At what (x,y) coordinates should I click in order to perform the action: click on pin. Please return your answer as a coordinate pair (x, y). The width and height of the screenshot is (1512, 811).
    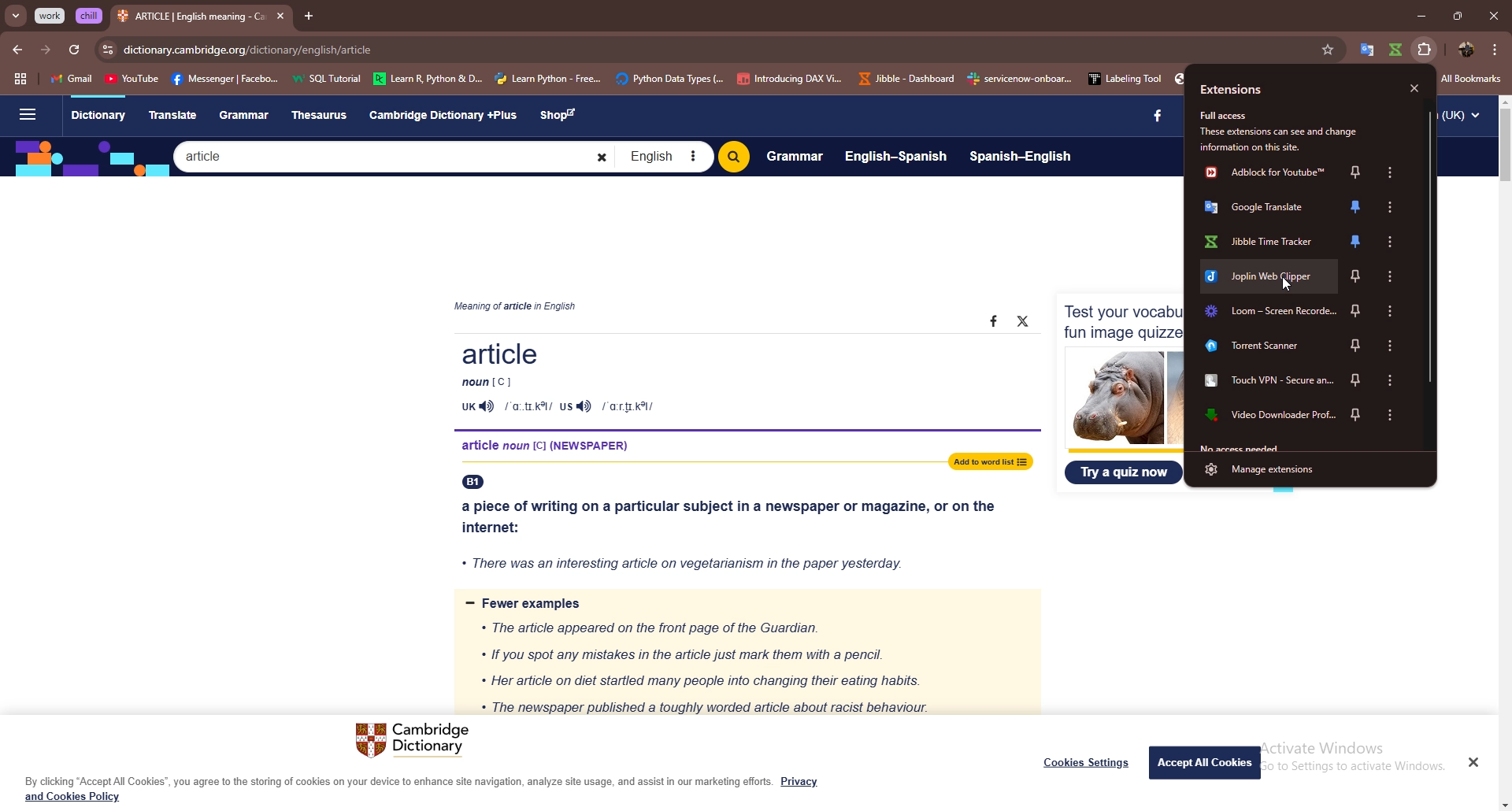
    Looking at the image, I should click on (1358, 382).